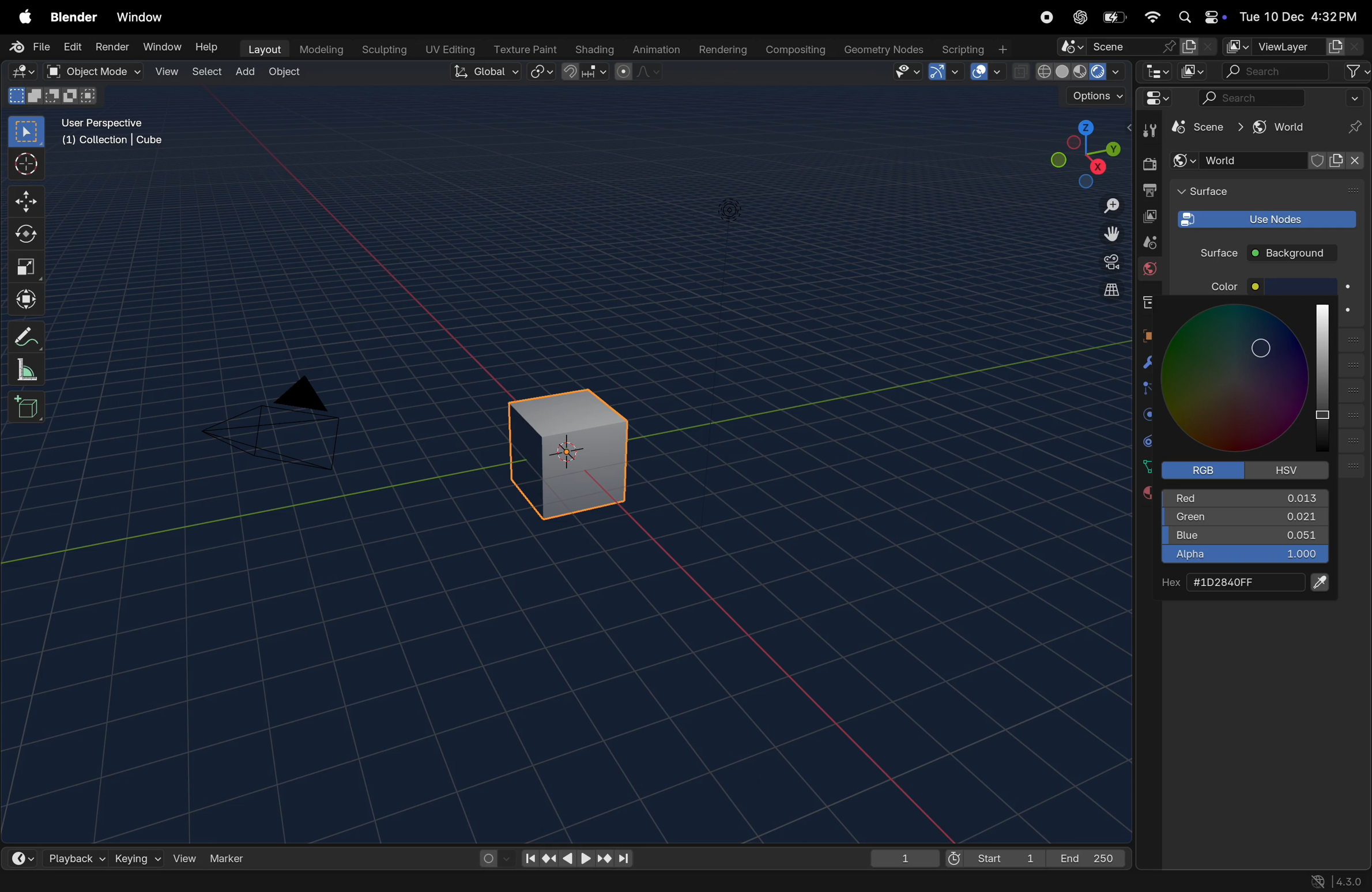 This screenshot has height=892, width=1372. Describe the element at coordinates (639, 74) in the screenshot. I see `proportional editing fall off` at that location.